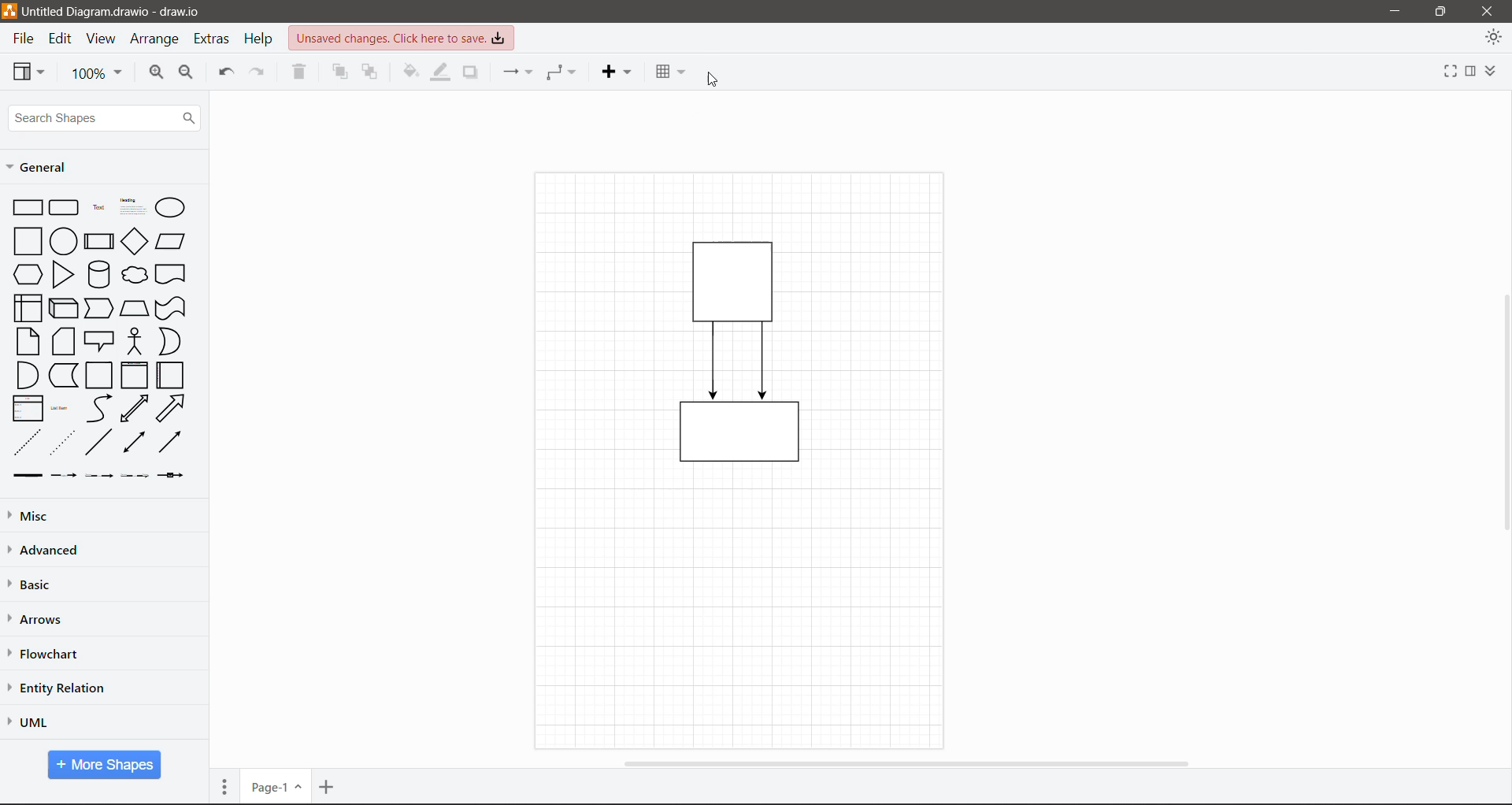 The image size is (1512, 805). Describe the element at coordinates (134, 241) in the screenshot. I see `Diamond` at that location.